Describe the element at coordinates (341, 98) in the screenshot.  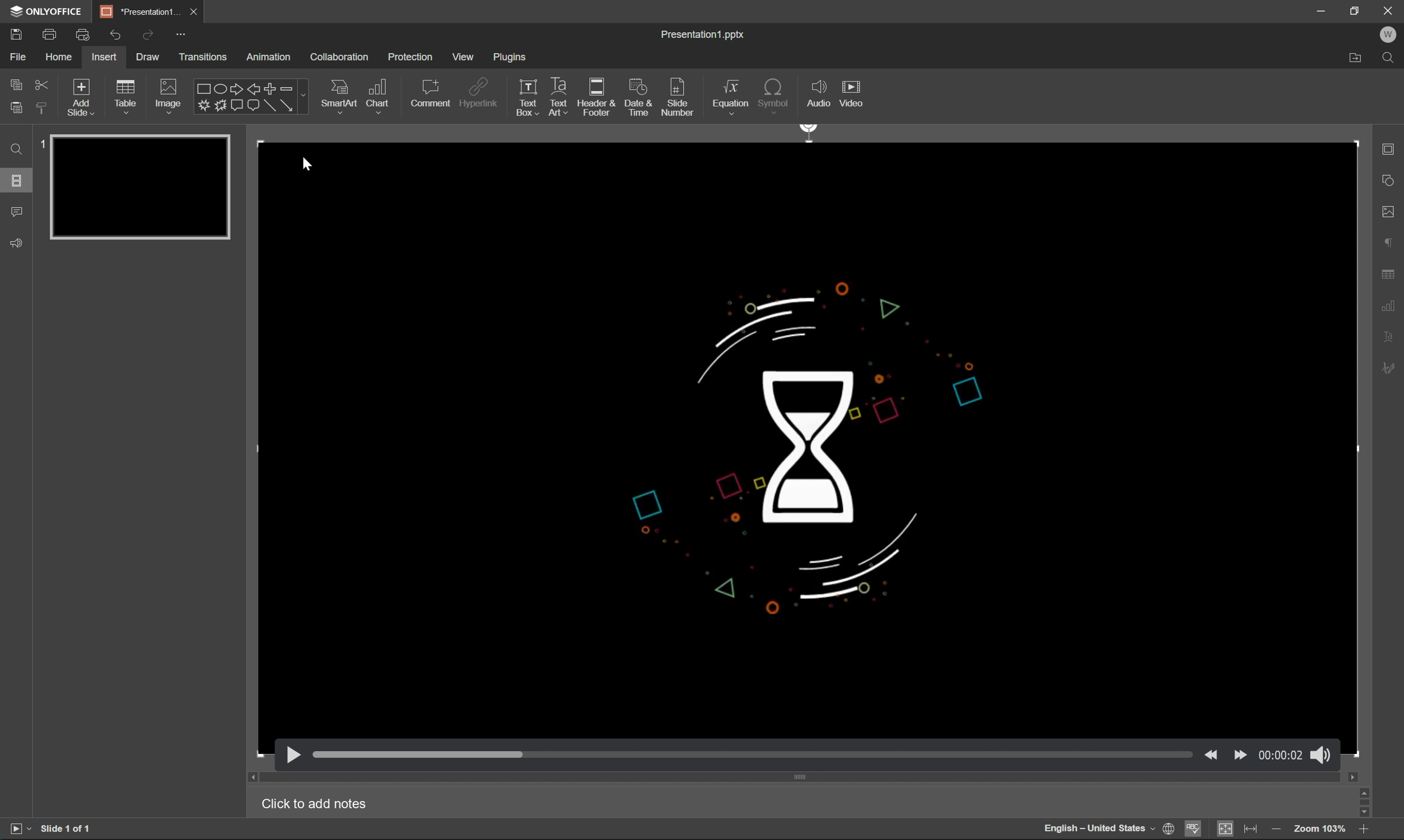
I see `smart art` at that location.